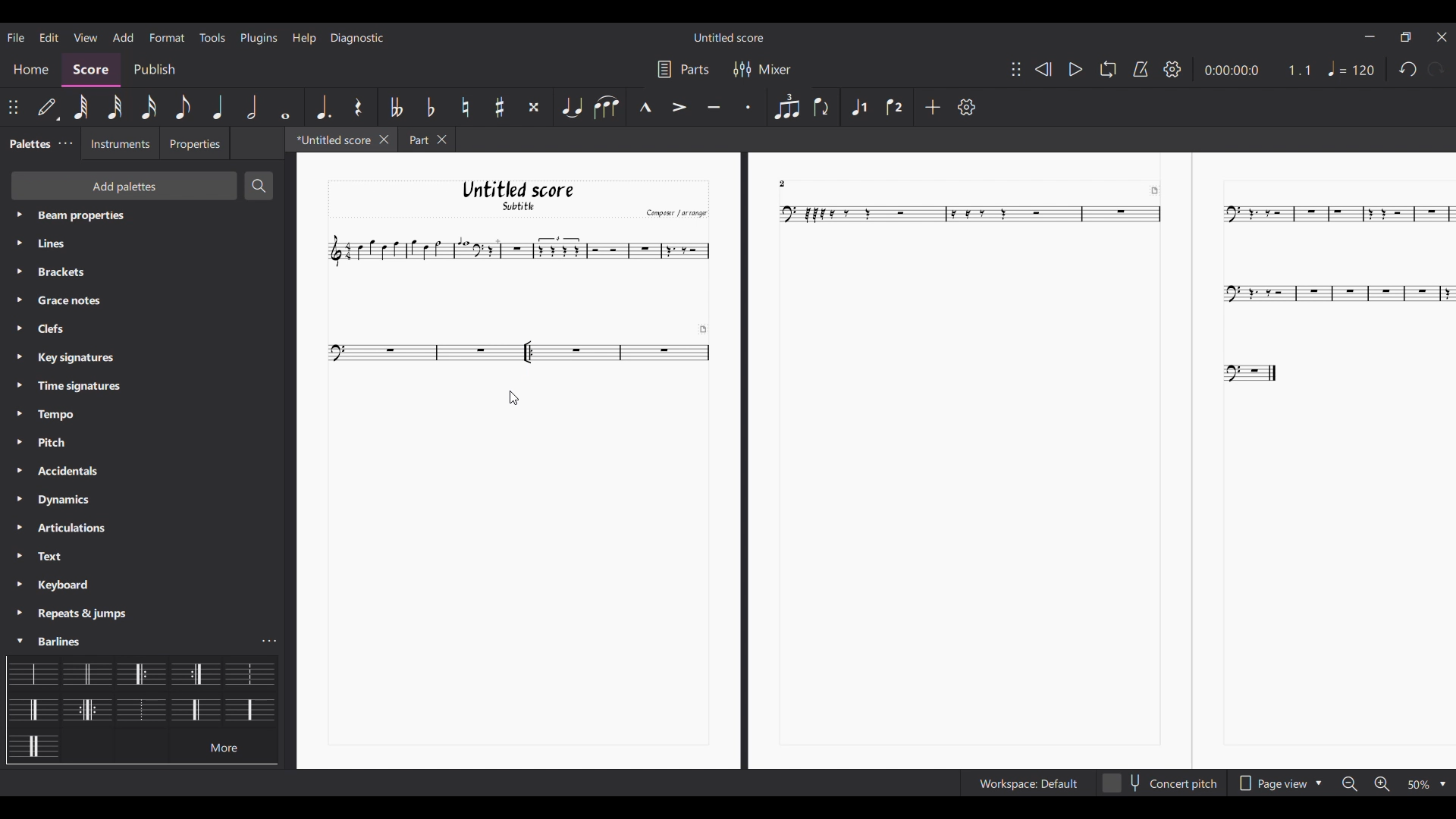 This screenshot has height=819, width=1456. What do you see at coordinates (358, 38) in the screenshot?
I see `Diagnostic menu` at bounding box center [358, 38].